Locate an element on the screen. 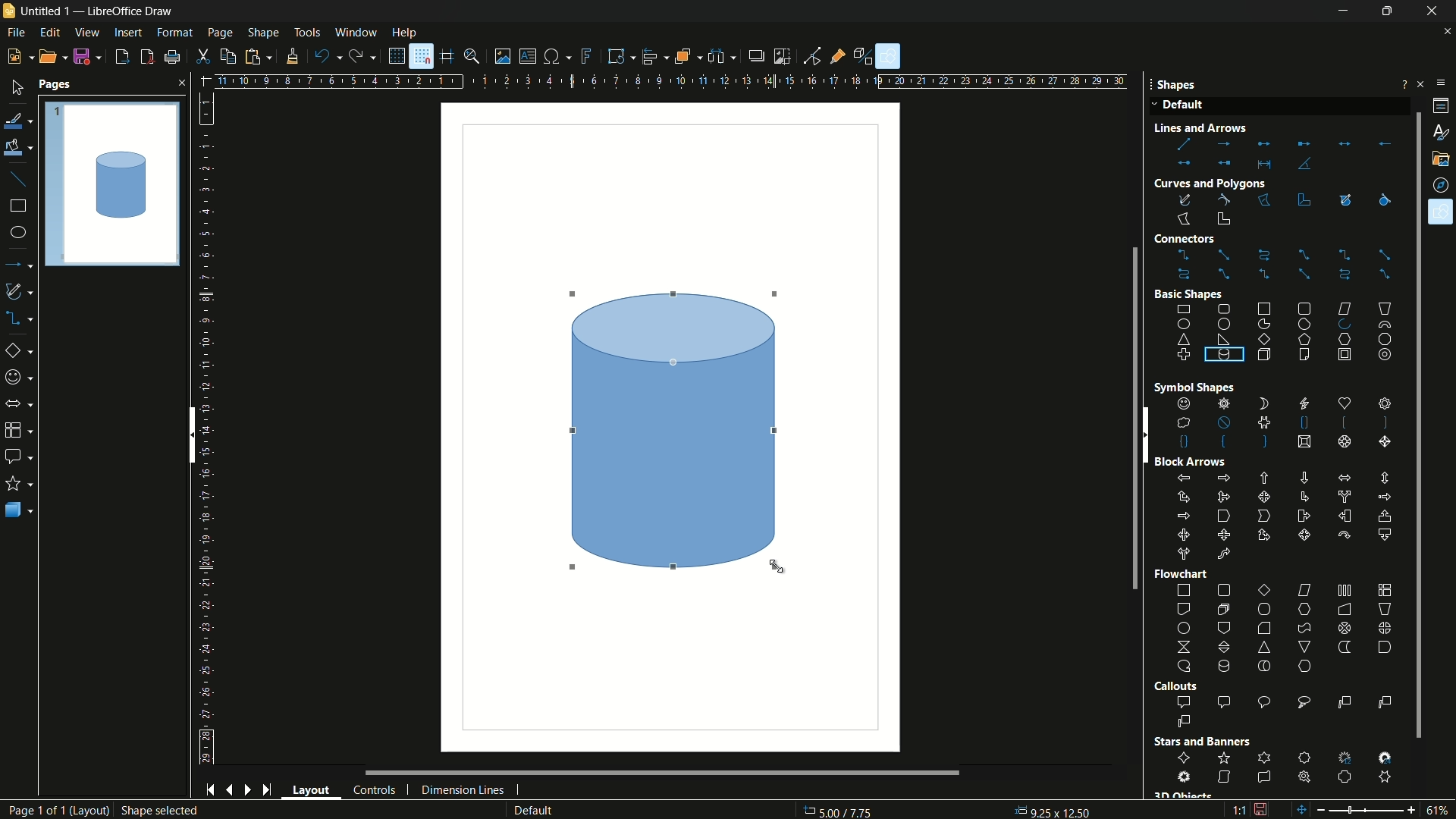  Symbol Shape is located at coordinates (1182, 388).